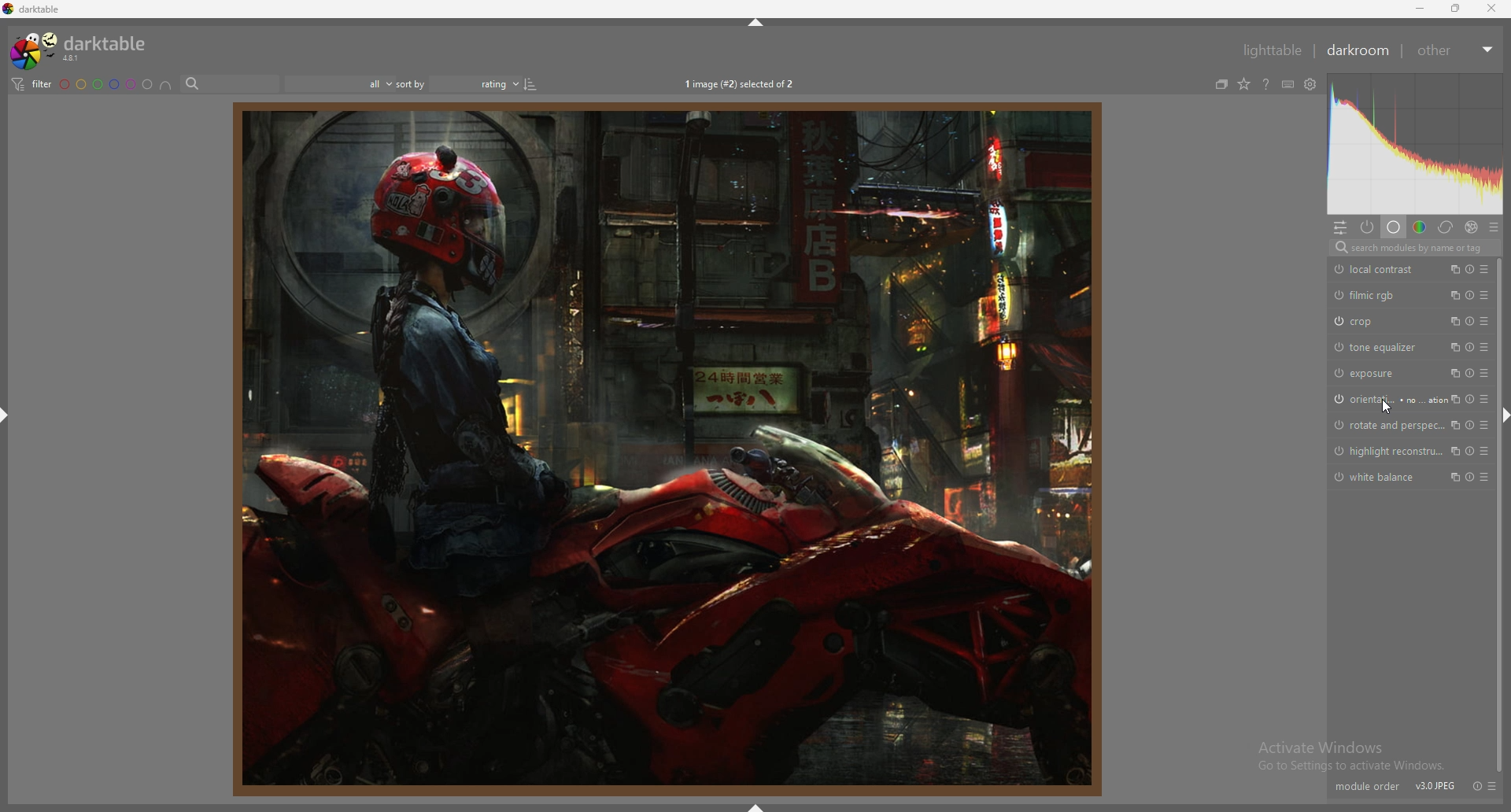  Describe the element at coordinates (1491, 9) in the screenshot. I see `close` at that location.